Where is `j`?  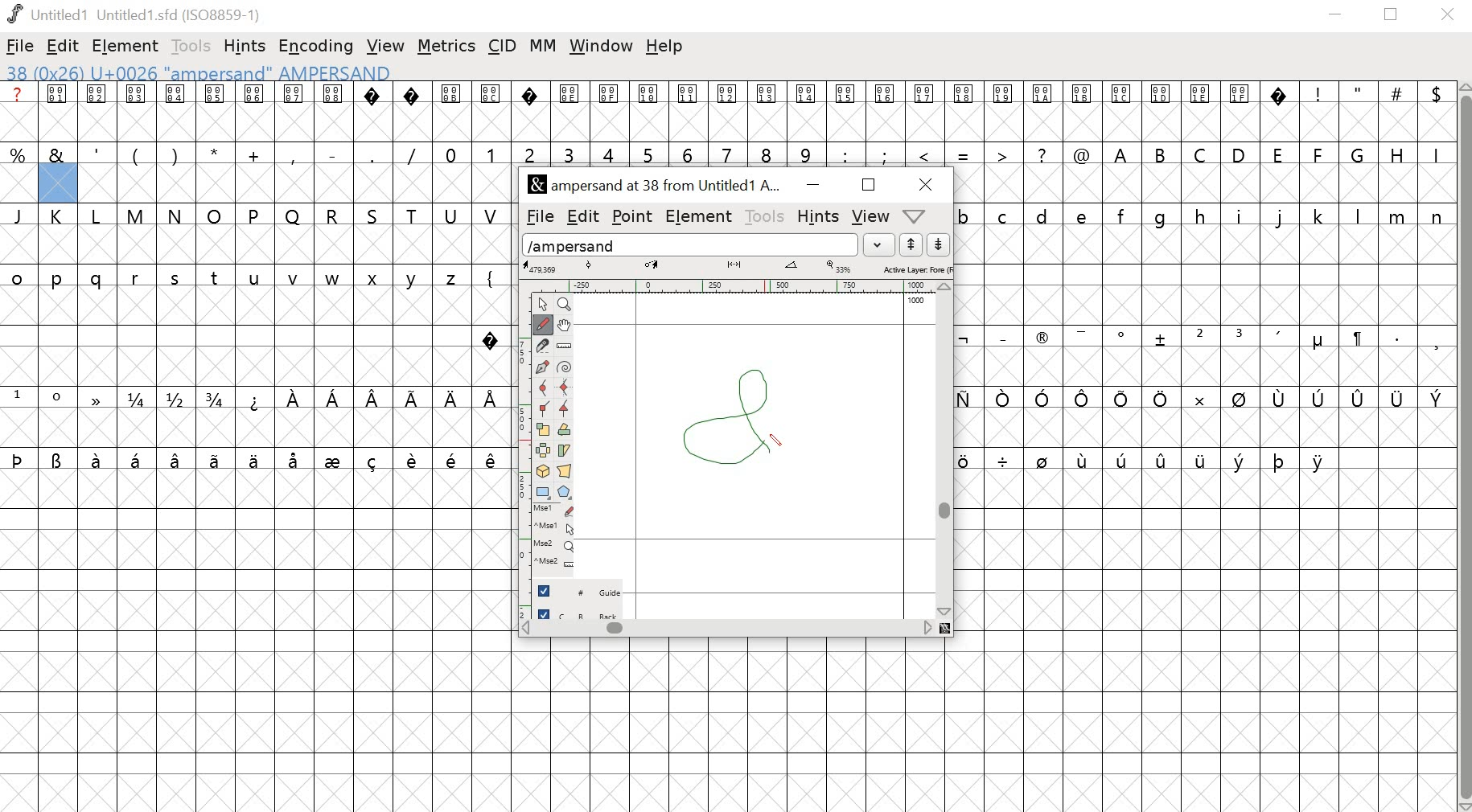 j is located at coordinates (1281, 218).